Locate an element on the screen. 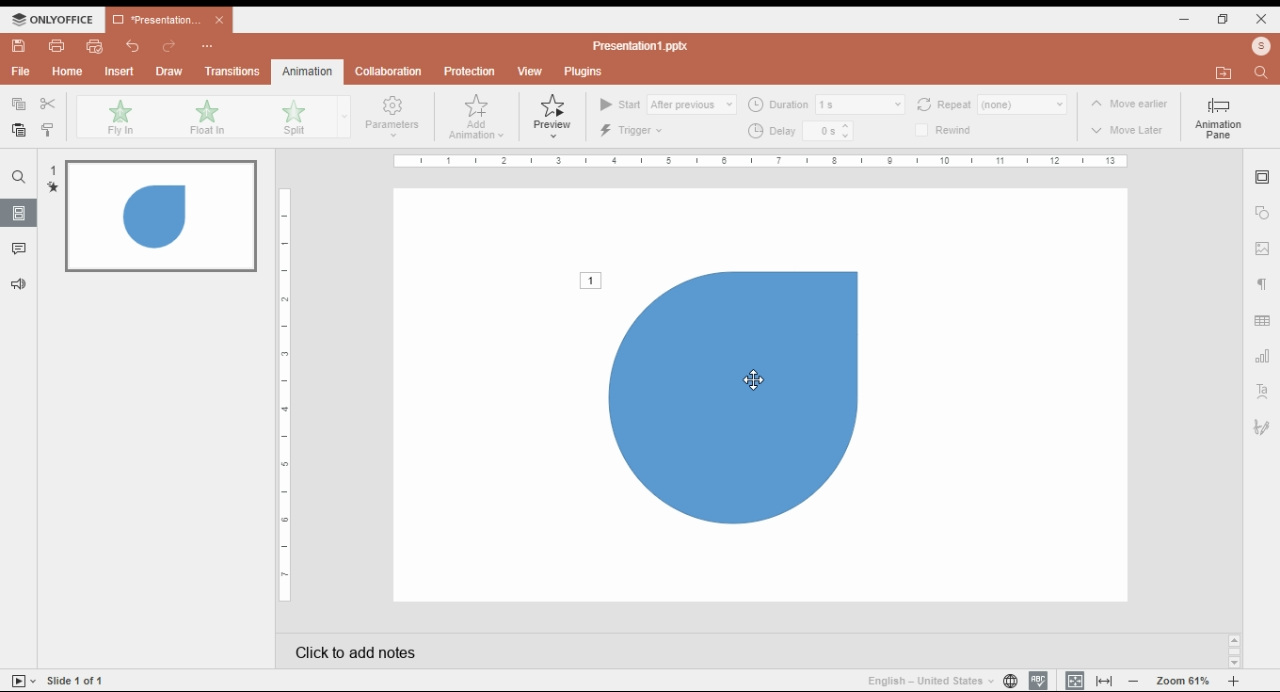  repeat is located at coordinates (992, 104).